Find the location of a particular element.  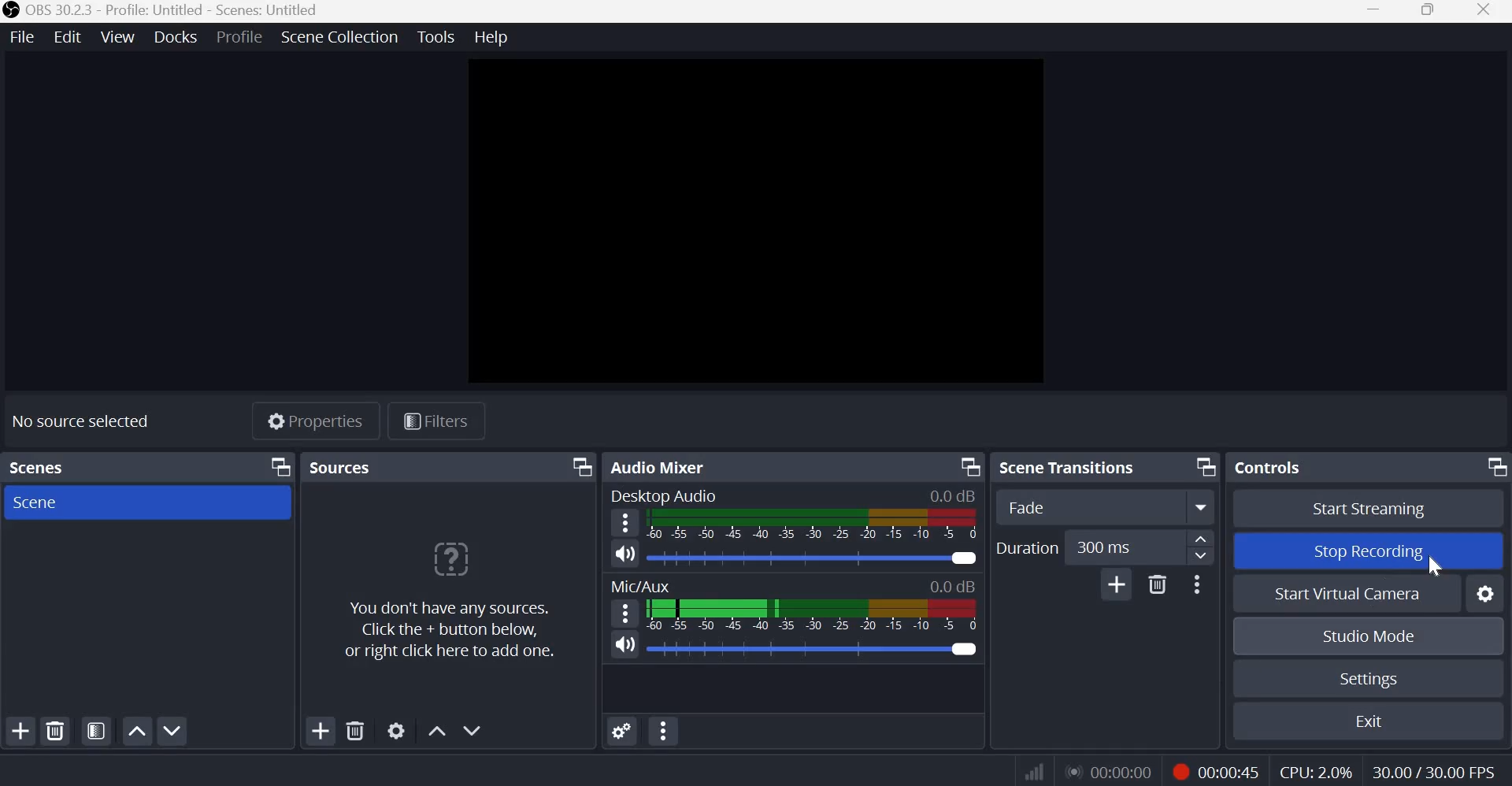

Speaker Icon is located at coordinates (624, 554).